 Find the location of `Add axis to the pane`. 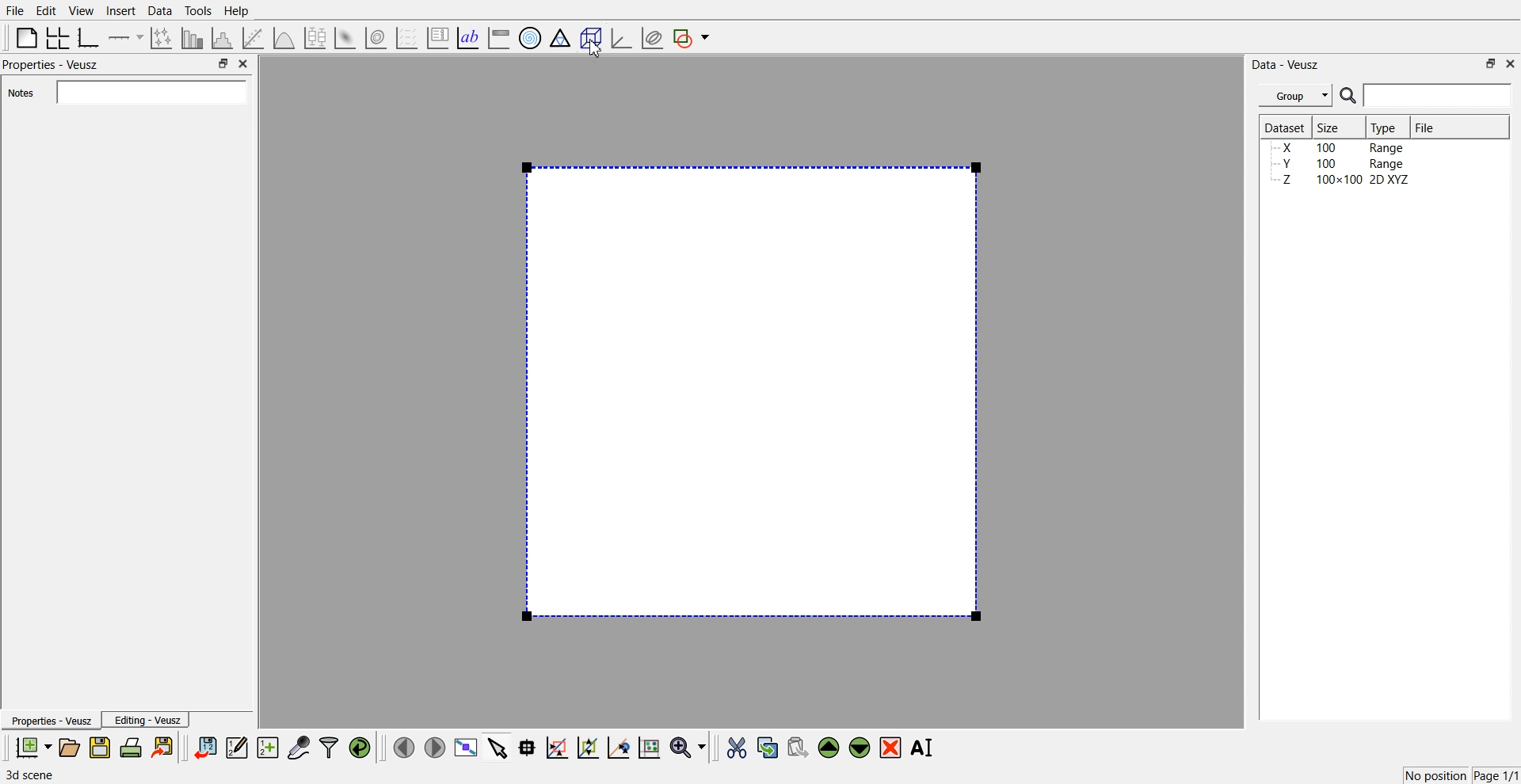

Add axis to the pane is located at coordinates (125, 39).